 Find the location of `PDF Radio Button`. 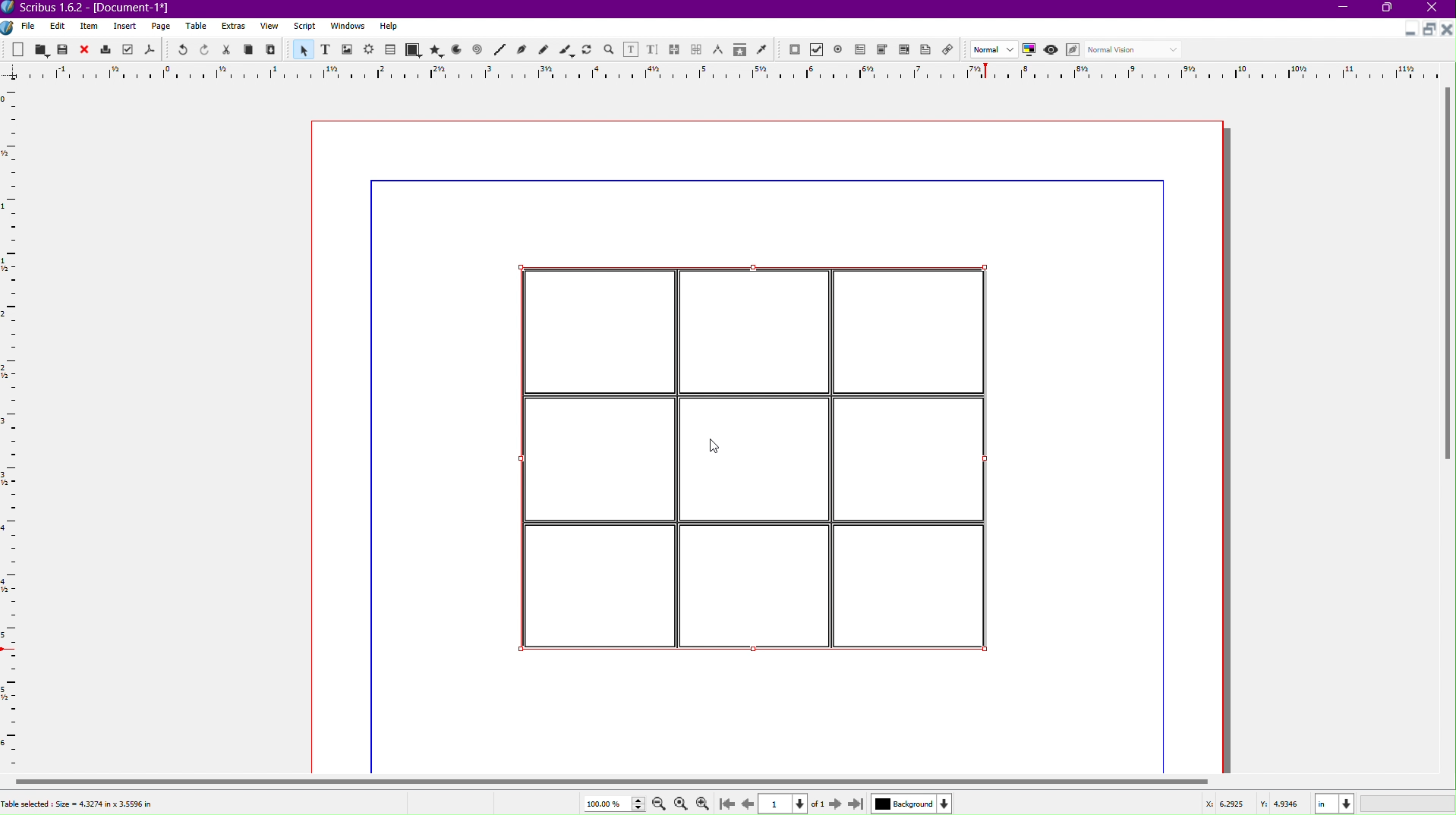

PDF Radio Button is located at coordinates (841, 49).